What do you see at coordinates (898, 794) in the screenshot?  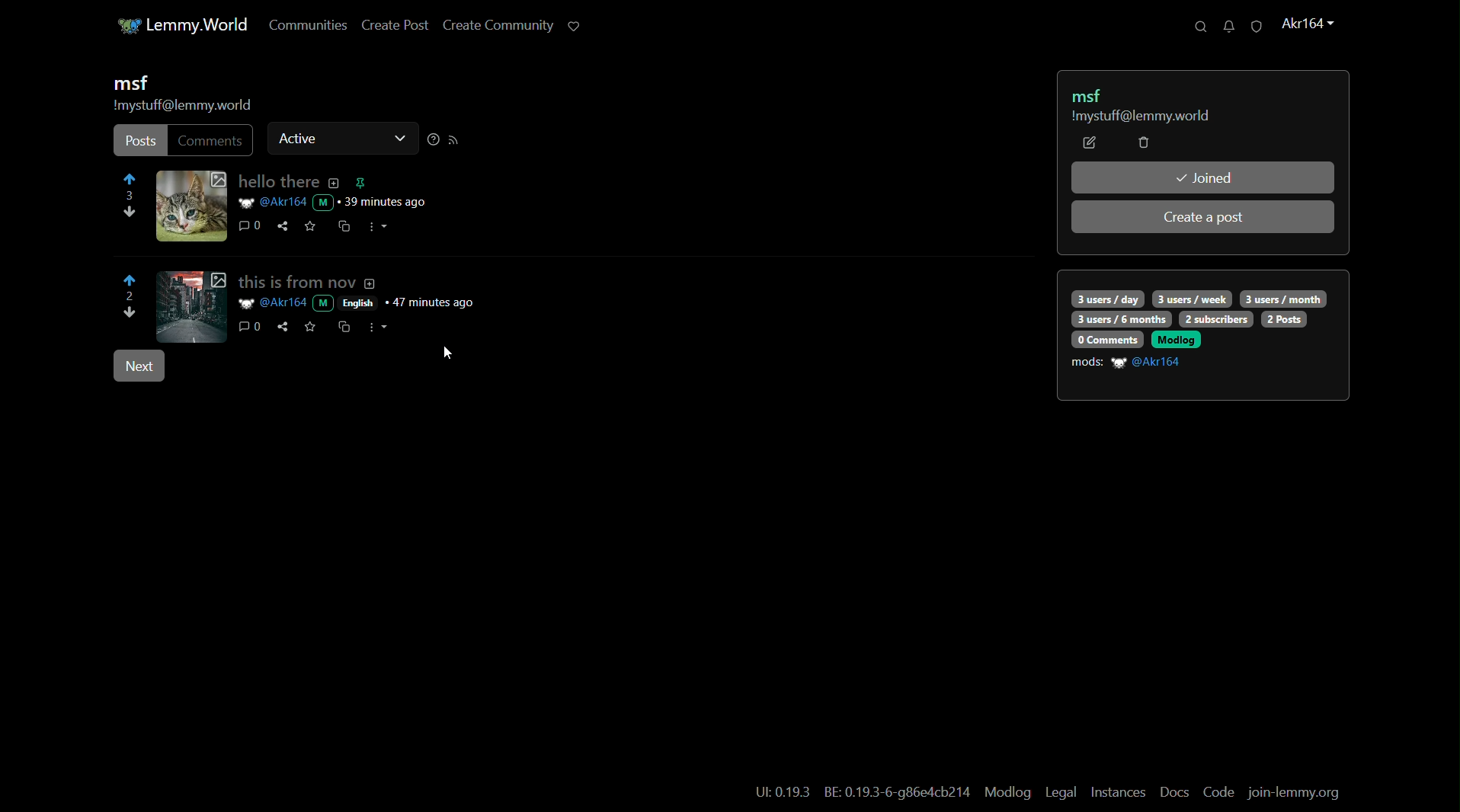 I see `text` at bounding box center [898, 794].